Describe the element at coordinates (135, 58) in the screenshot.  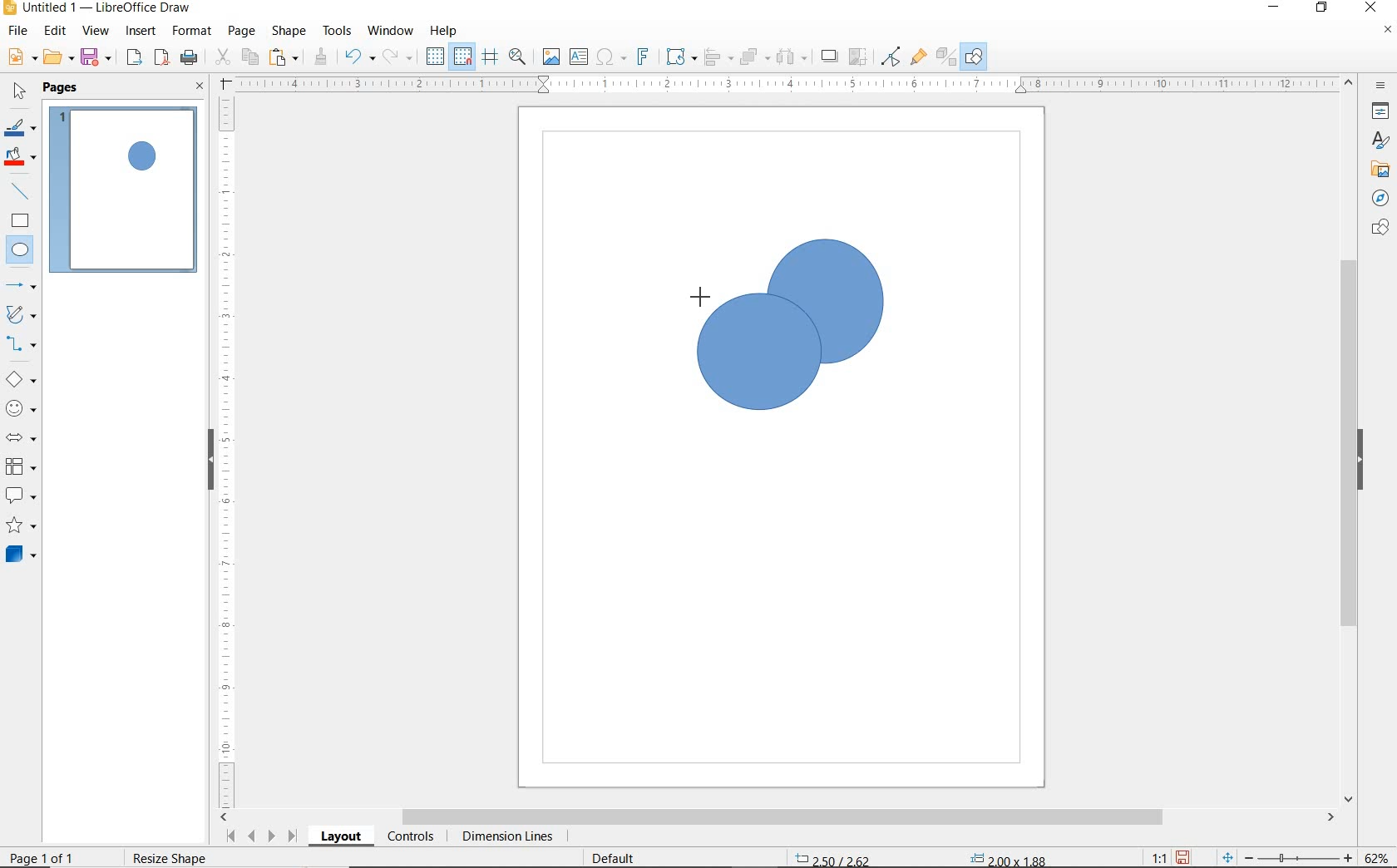
I see `EXPORT` at that location.